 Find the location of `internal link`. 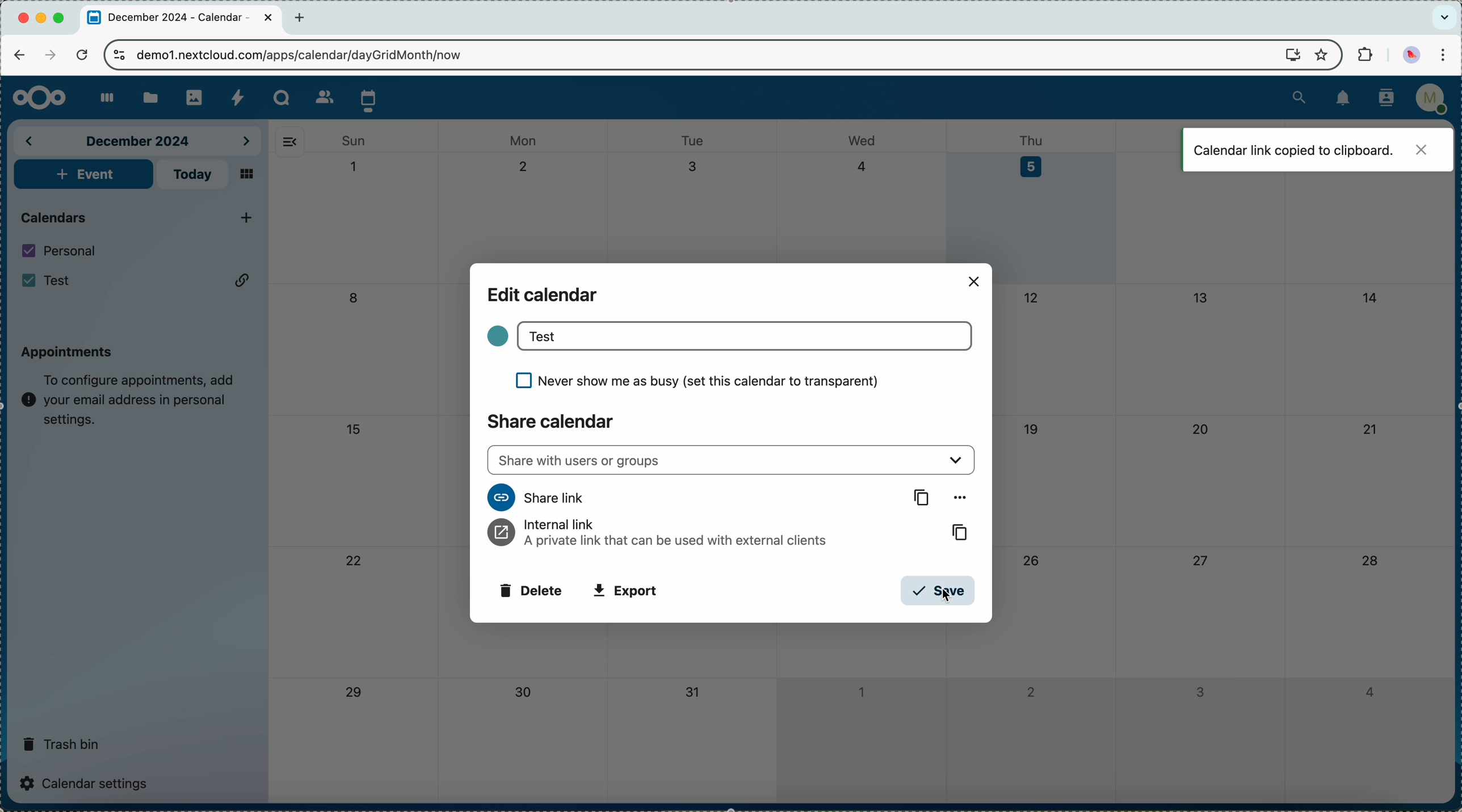

internal link is located at coordinates (658, 534).